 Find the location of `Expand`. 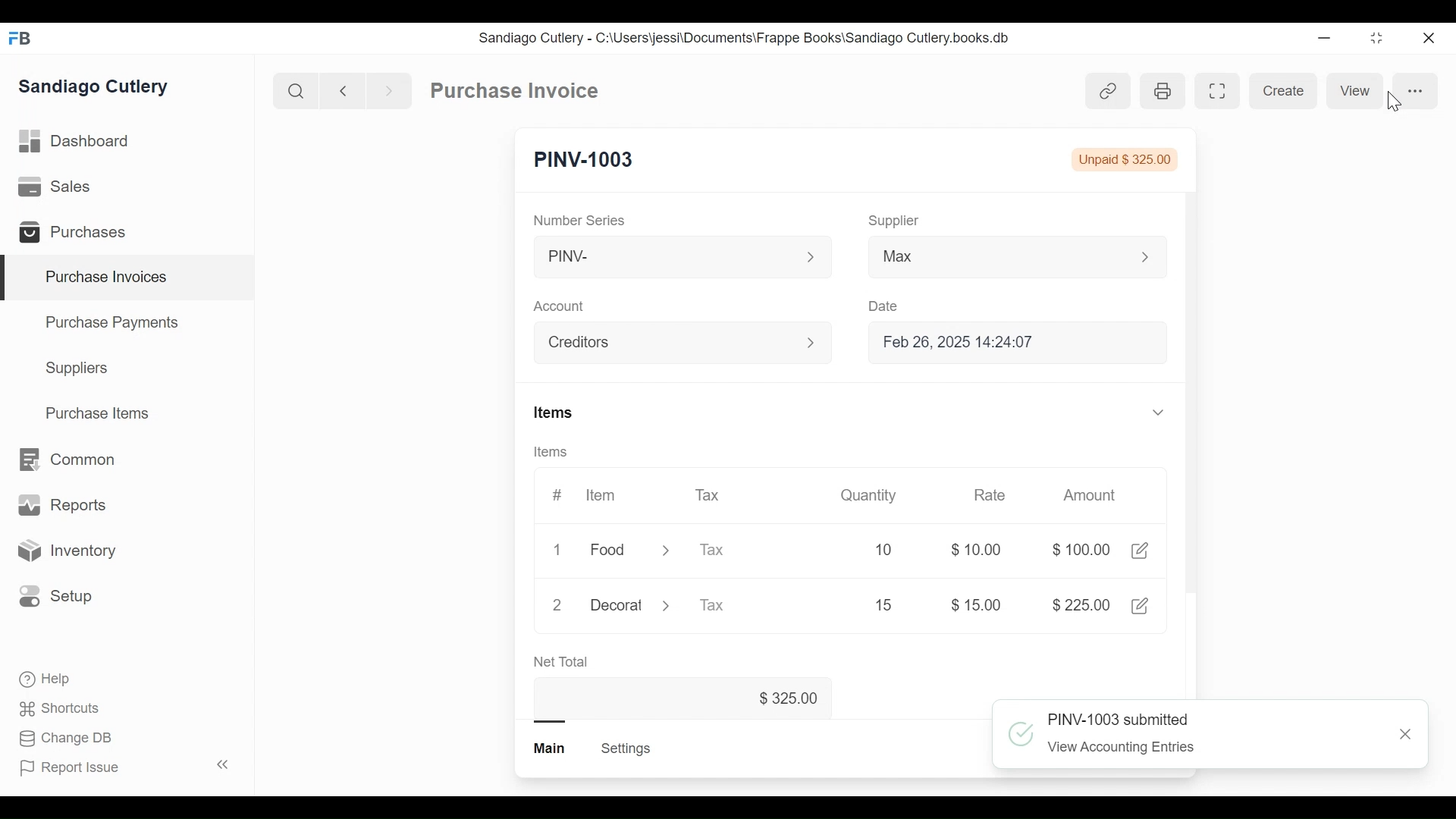

Expand is located at coordinates (665, 550).